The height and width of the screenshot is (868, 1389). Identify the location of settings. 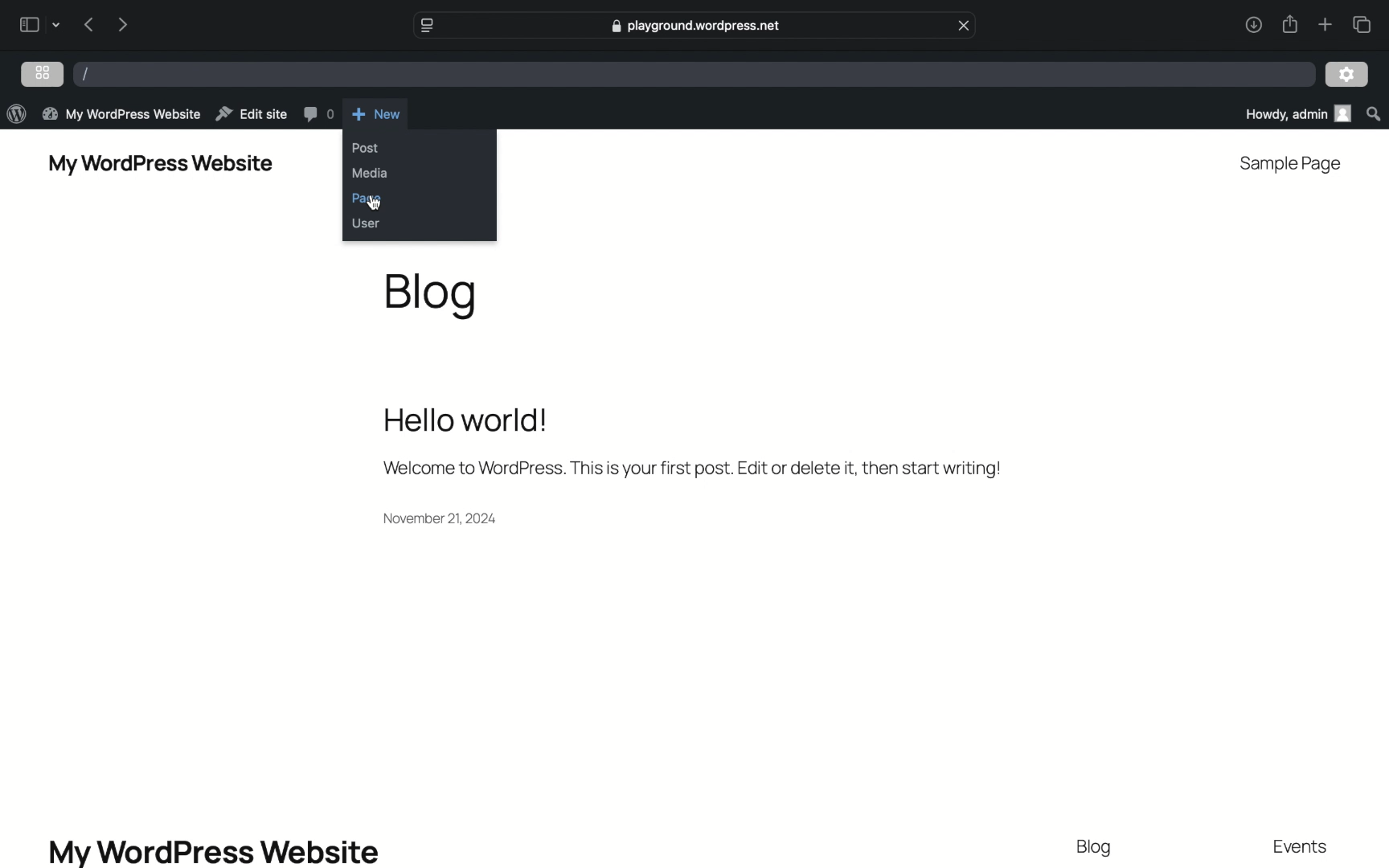
(1347, 76).